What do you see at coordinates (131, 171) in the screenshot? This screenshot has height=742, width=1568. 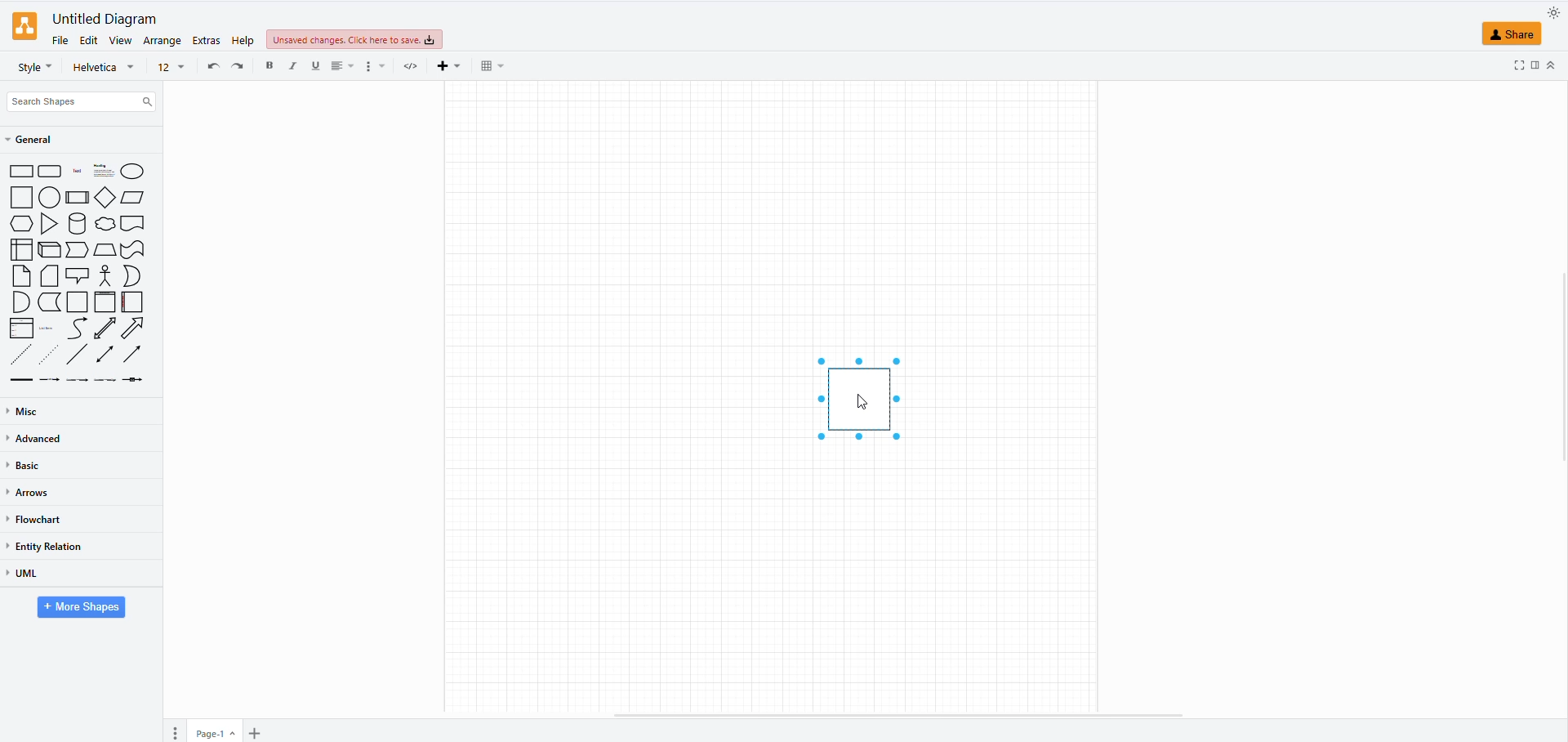 I see `ellipse` at bounding box center [131, 171].